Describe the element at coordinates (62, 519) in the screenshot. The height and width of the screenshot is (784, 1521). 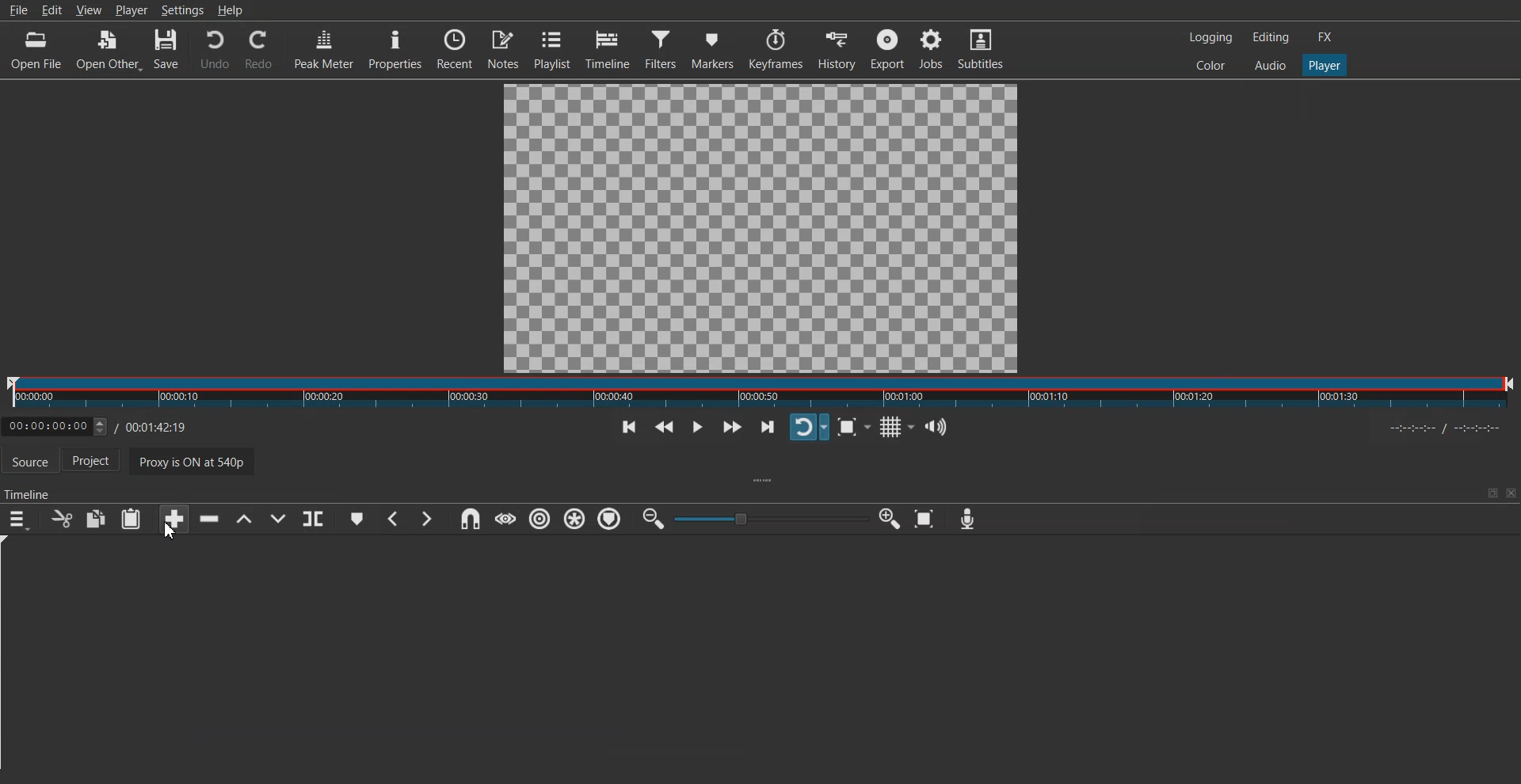
I see `Cut` at that location.